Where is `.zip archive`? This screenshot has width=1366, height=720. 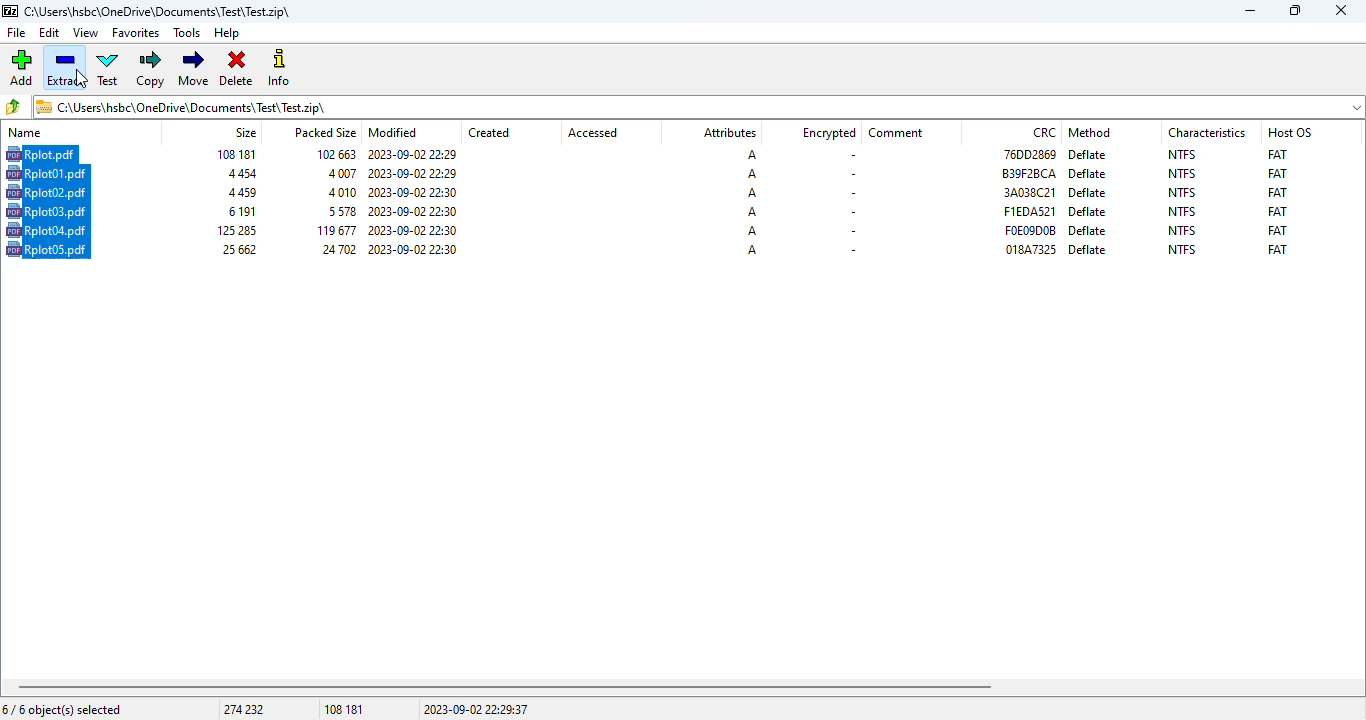 .zip archive is located at coordinates (699, 106).